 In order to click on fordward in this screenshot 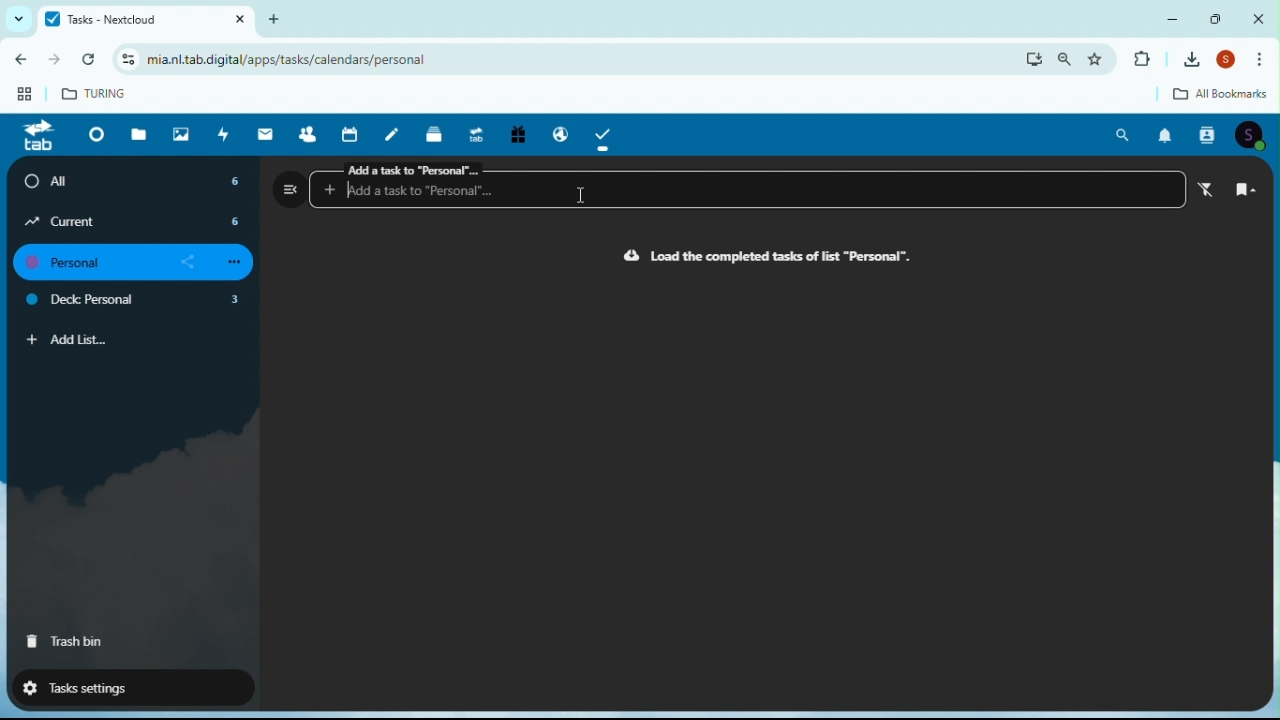, I will do `click(56, 62)`.